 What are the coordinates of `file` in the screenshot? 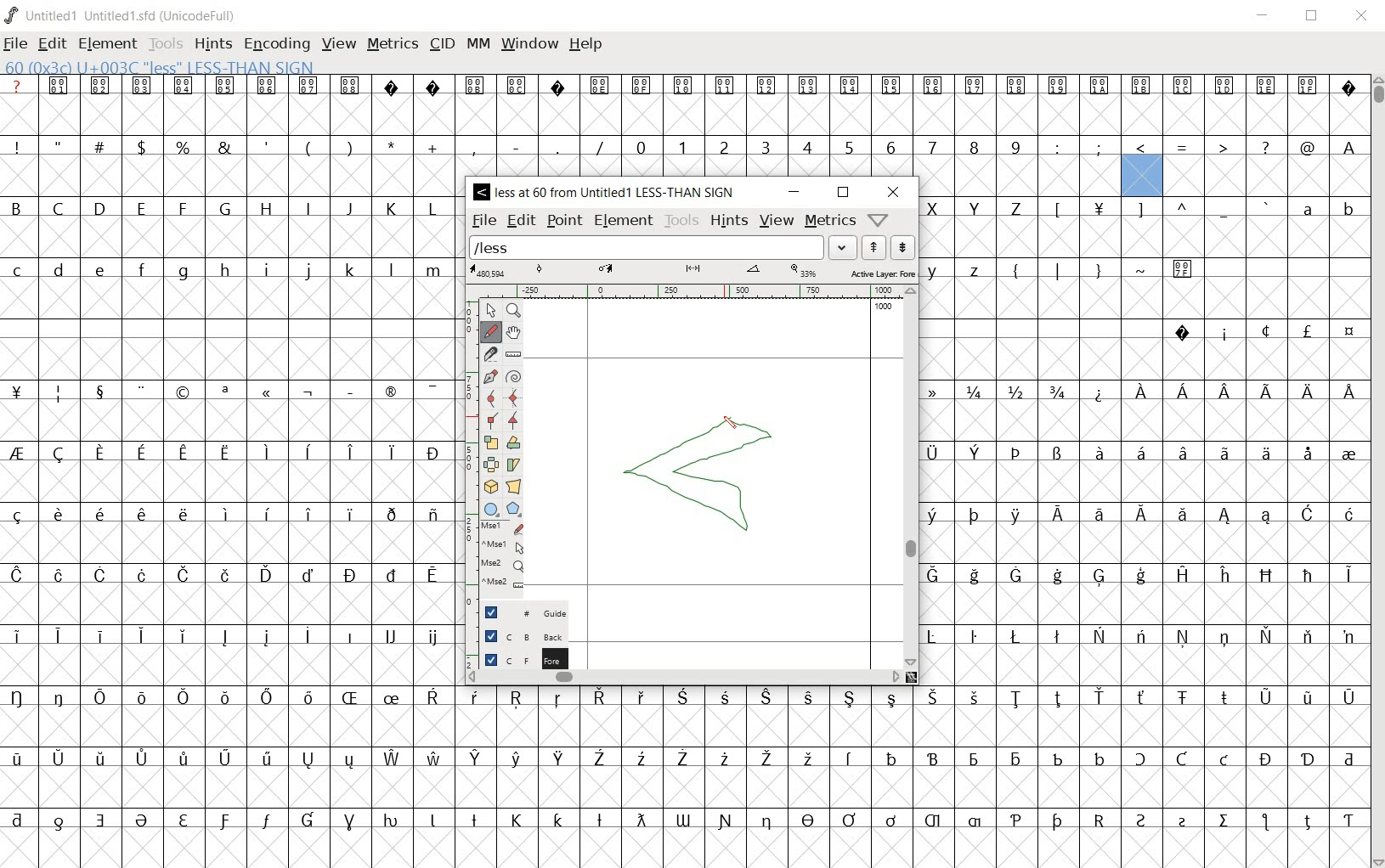 It's located at (17, 44).